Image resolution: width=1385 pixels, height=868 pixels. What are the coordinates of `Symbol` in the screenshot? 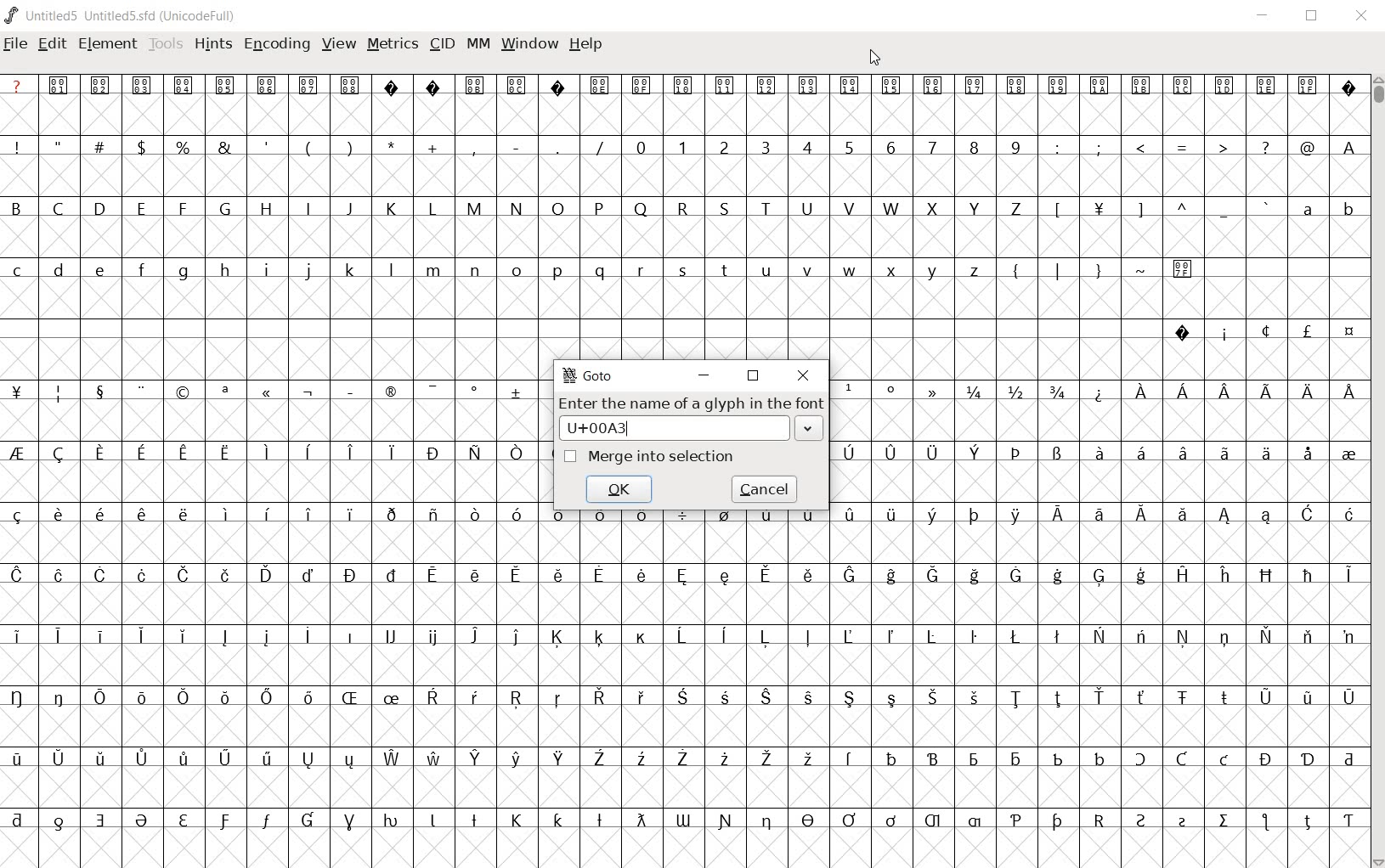 It's located at (599, 520).